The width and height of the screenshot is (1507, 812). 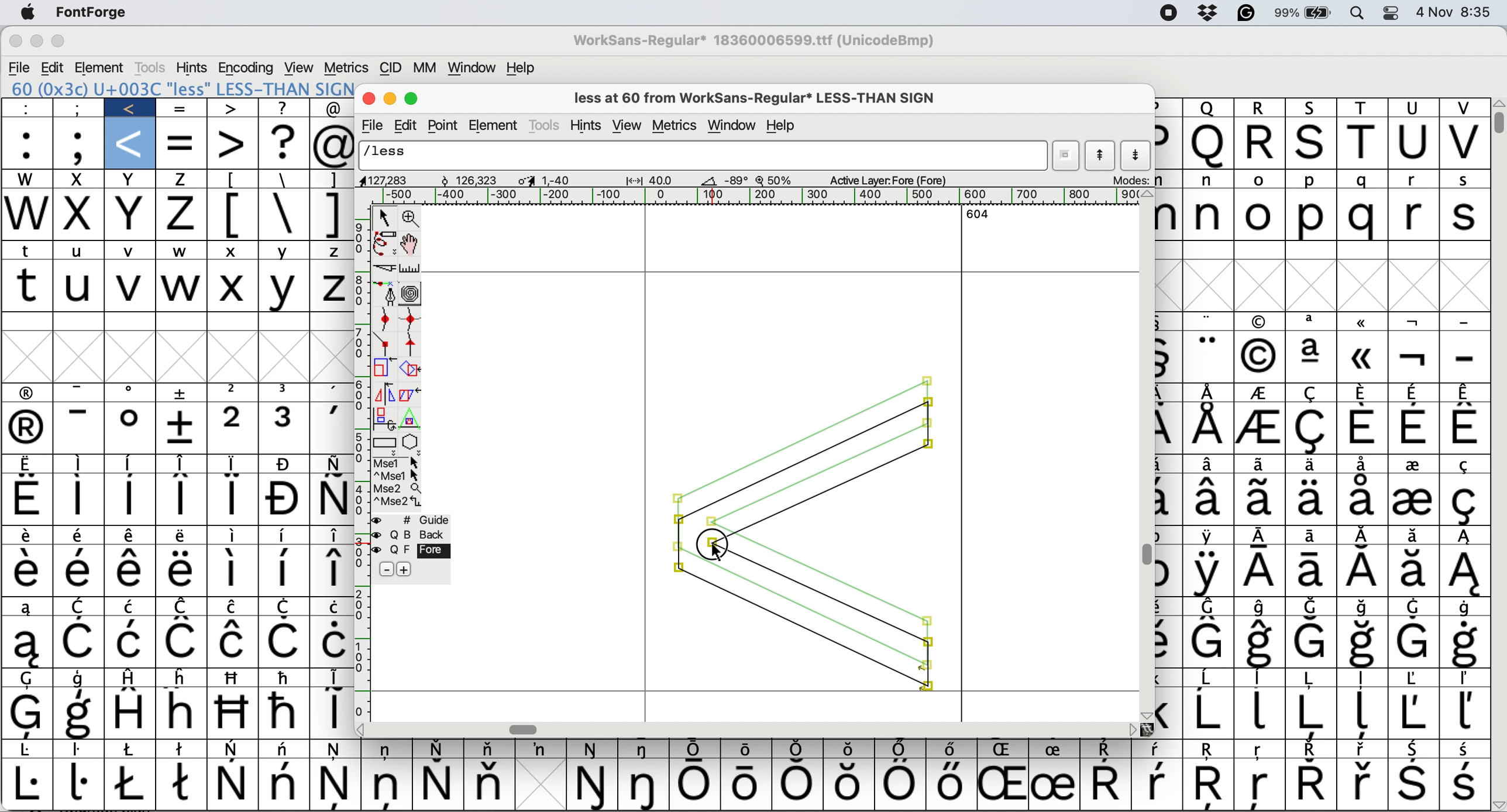 What do you see at coordinates (383, 369) in the screenshot?
I see `scale glyph` at bounding box center [383, 369].